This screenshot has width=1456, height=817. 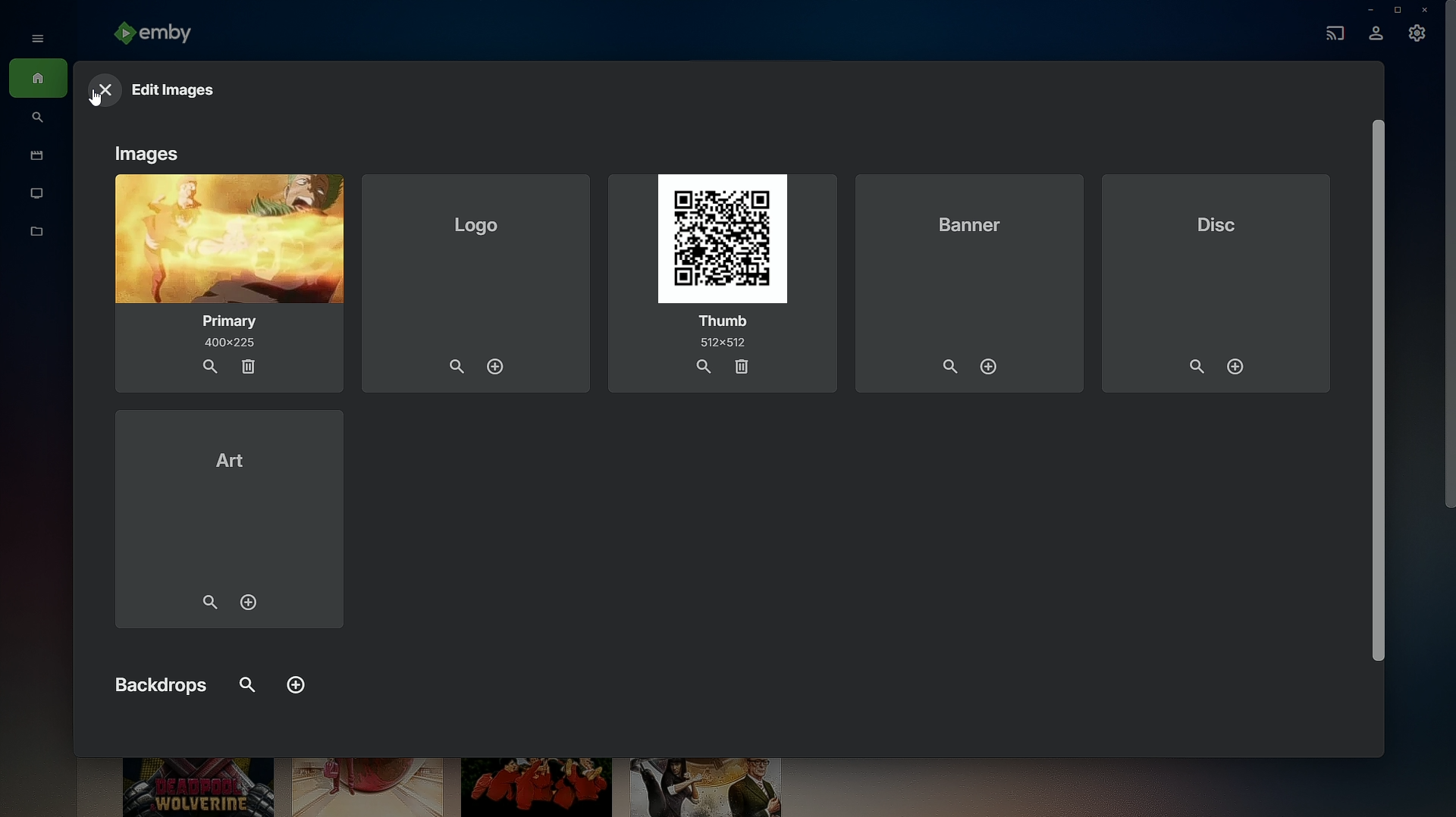 What do you see at coordinates (38, 119) in the screenshot?
I see `Find` at bounding box center [38, 119].